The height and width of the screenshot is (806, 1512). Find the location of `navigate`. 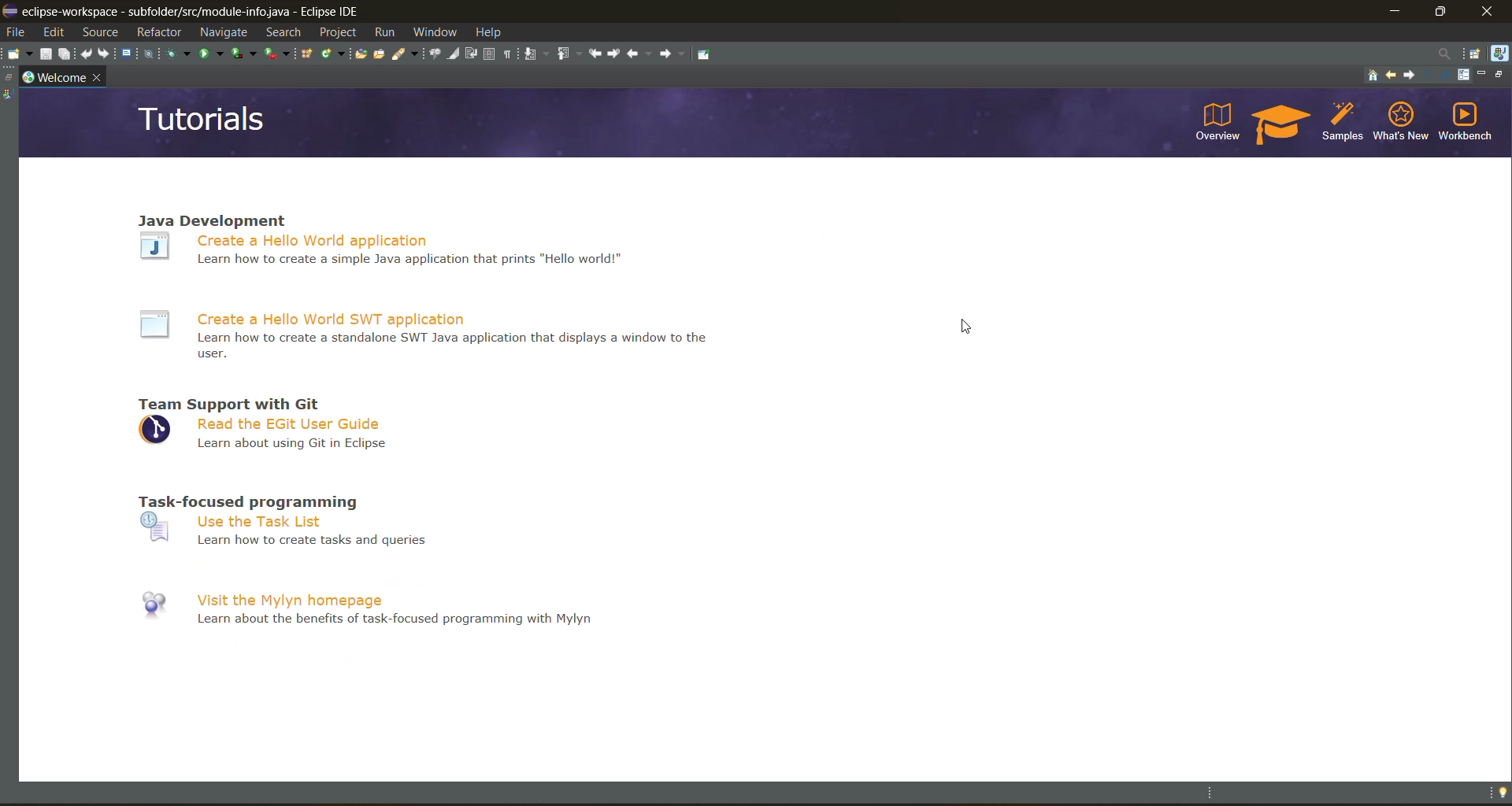

navigate is located at coordinates (221, 31).